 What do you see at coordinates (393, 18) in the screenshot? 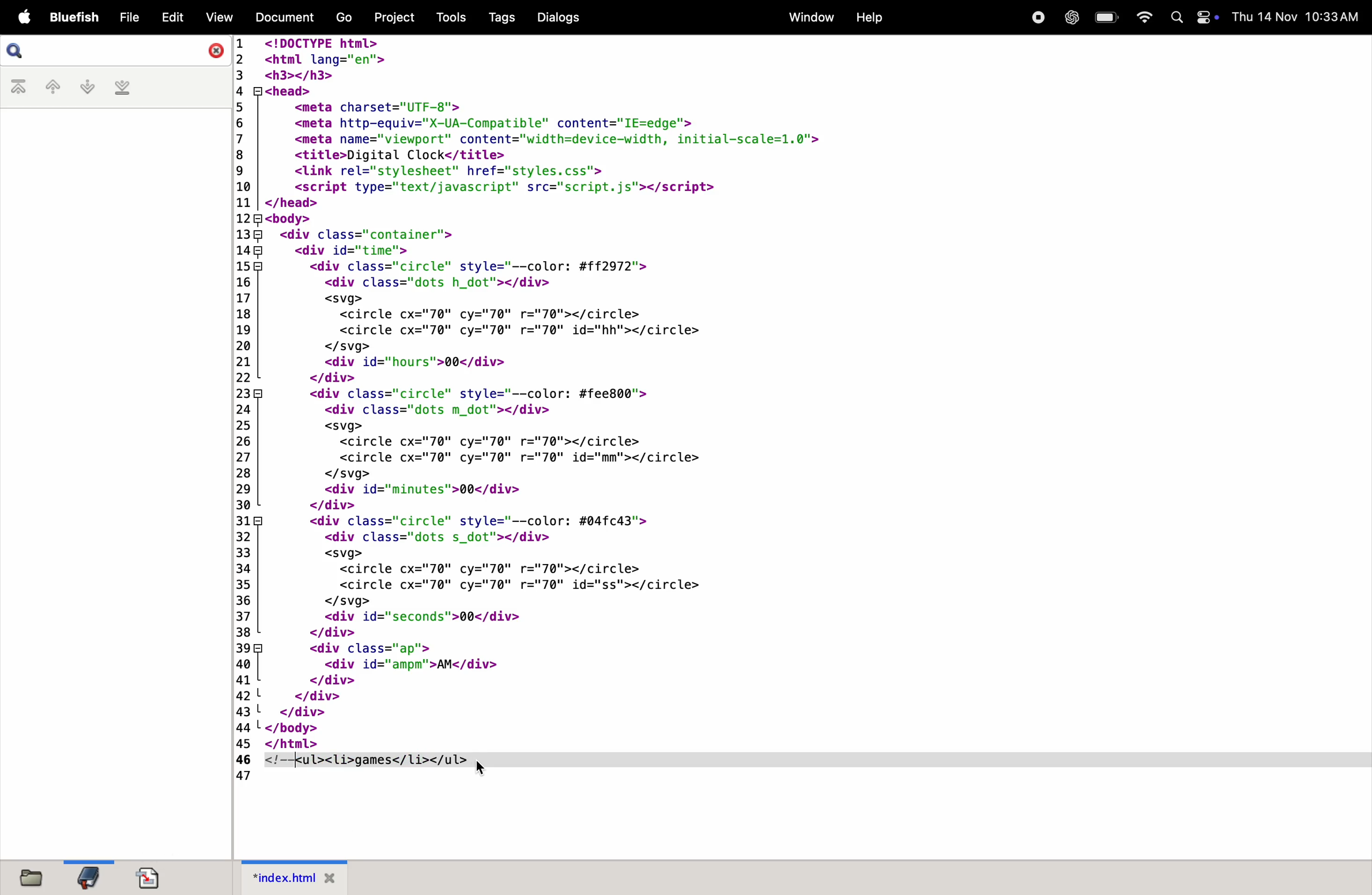
I see `project` at bounding box center [393, 18].